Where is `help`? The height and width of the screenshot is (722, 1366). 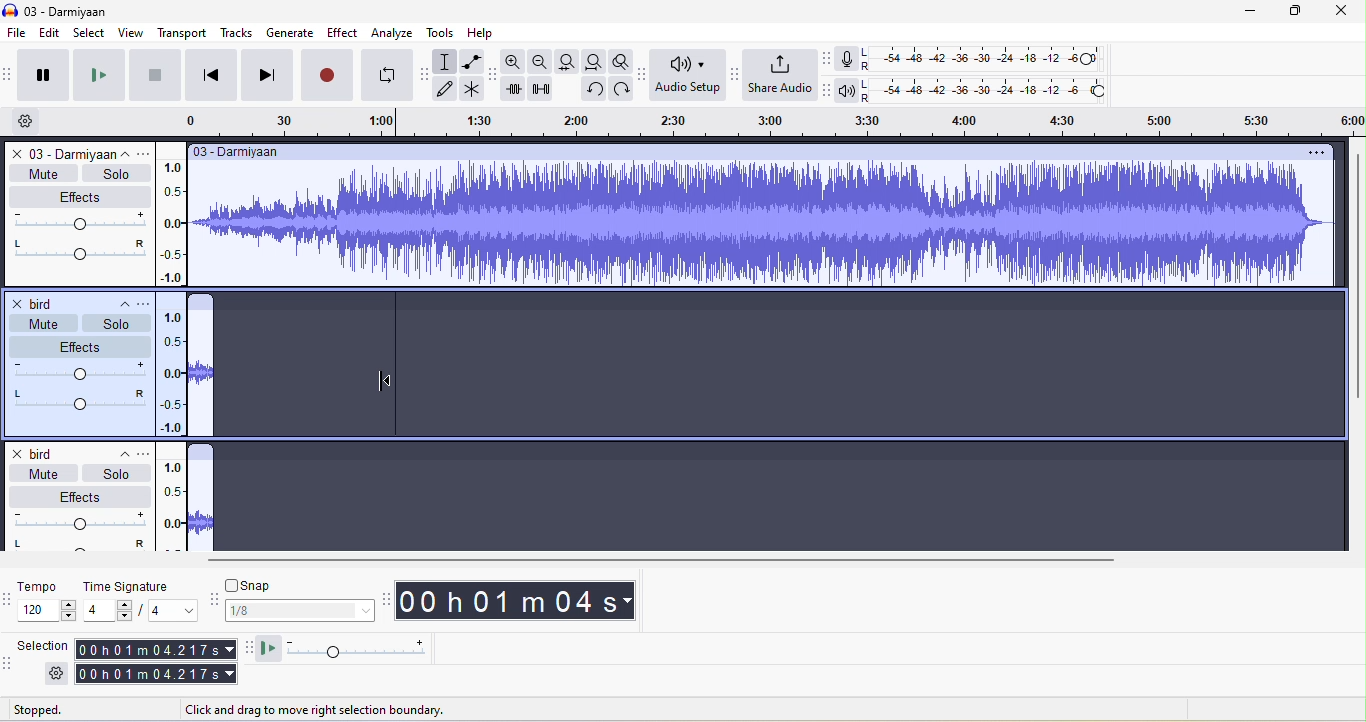 help is located at coordinates (486, 31).